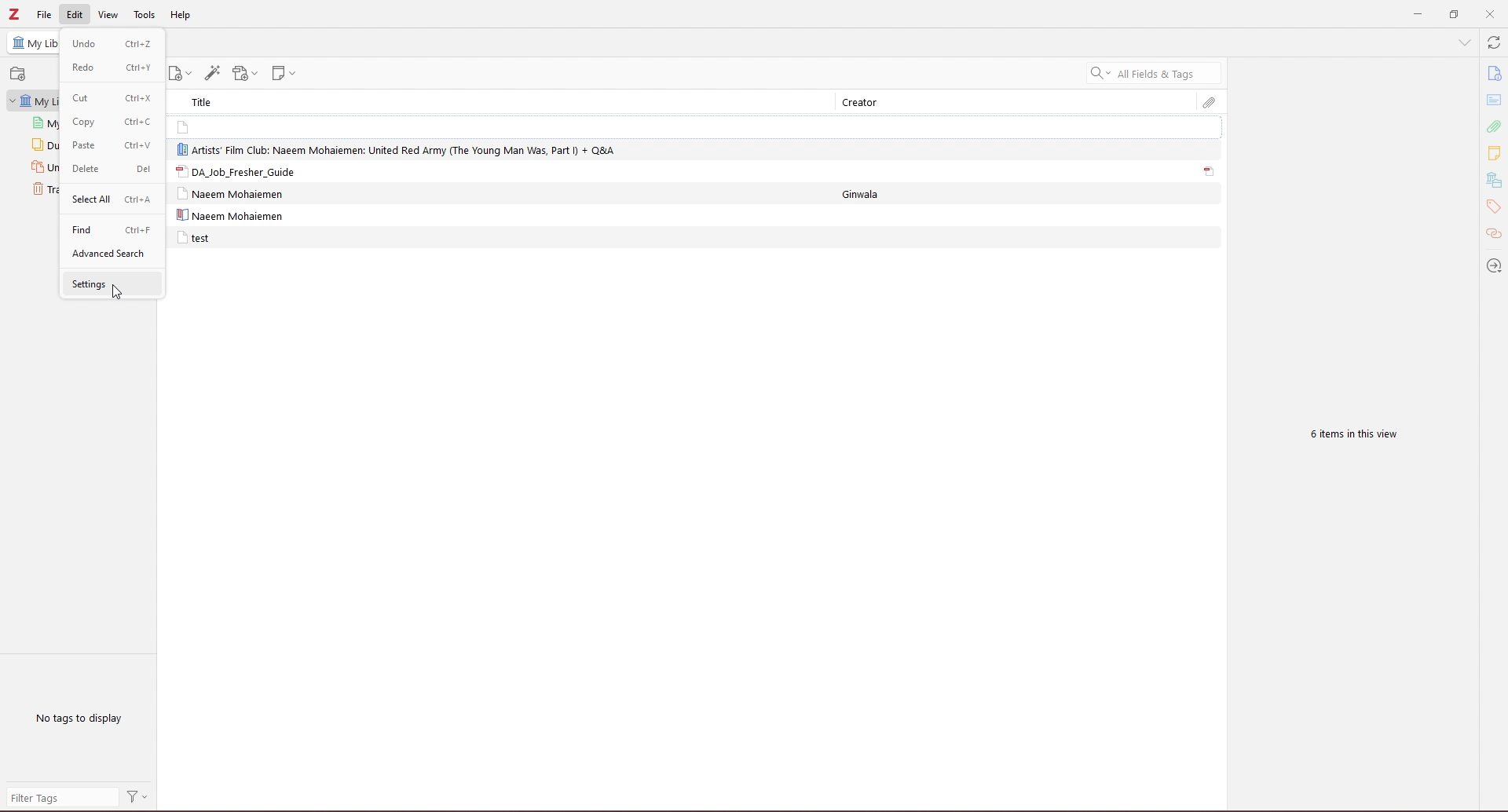 The image size is (1508, 812). What do you see at coordinates (109, 170) in the screenshot?
I see `delete` at bounding box center [109, 170].